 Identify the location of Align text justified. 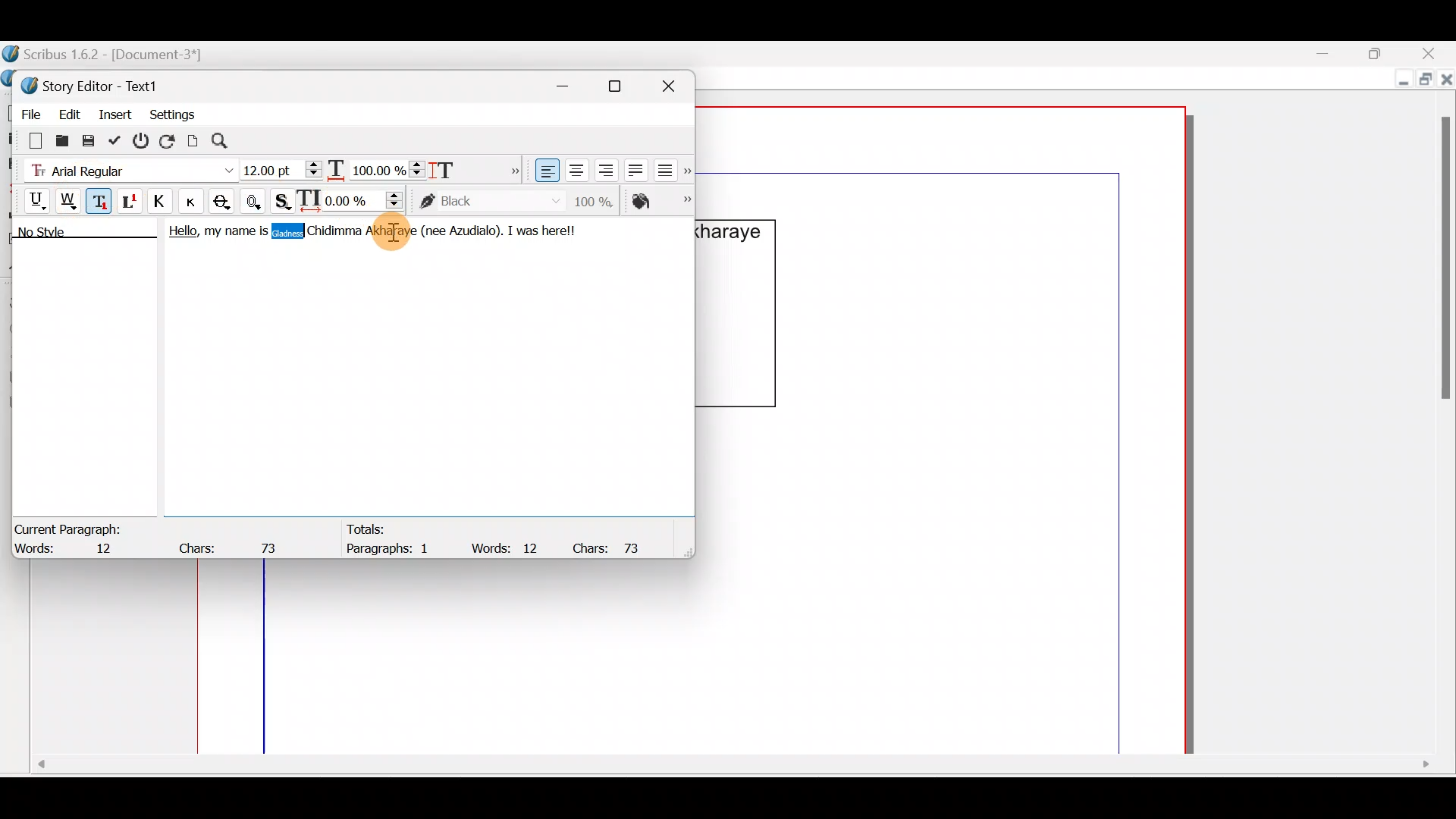
(634, 168).